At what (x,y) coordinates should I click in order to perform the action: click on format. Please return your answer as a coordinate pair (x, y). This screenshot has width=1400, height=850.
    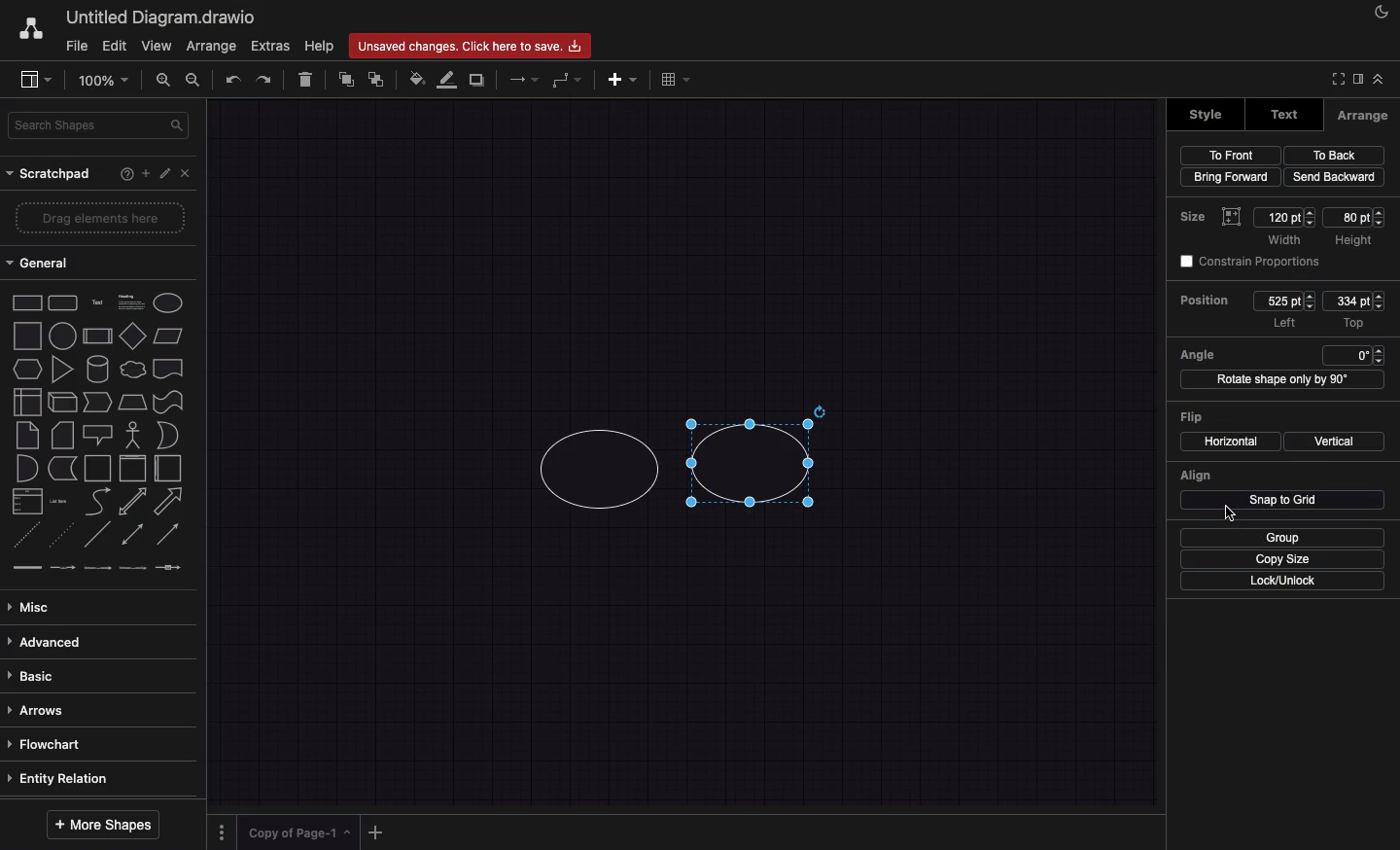
    Looking at the image, I should click on (1358, 78).